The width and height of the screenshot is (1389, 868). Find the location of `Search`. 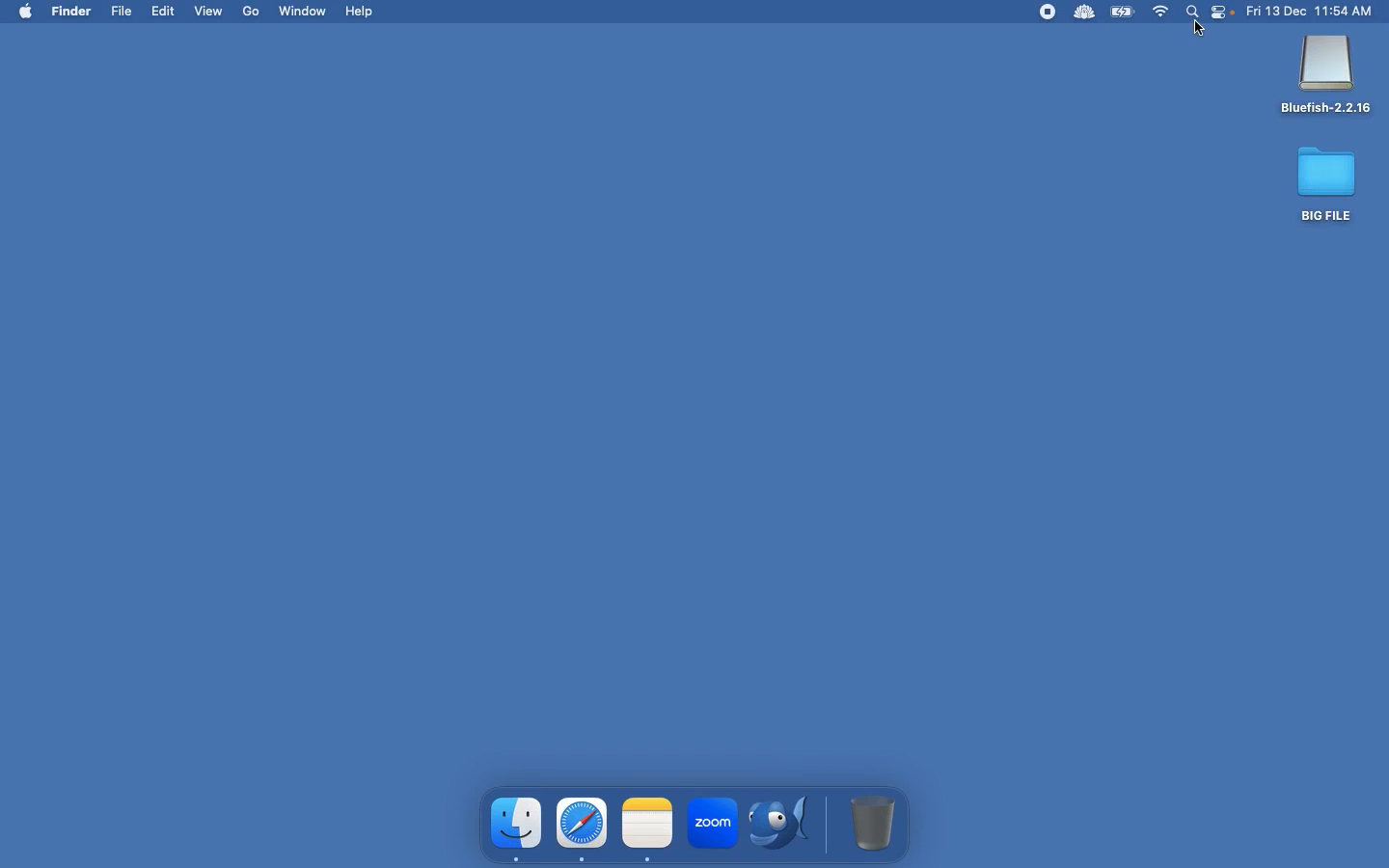

Search is located at coordinates (1193, 14).